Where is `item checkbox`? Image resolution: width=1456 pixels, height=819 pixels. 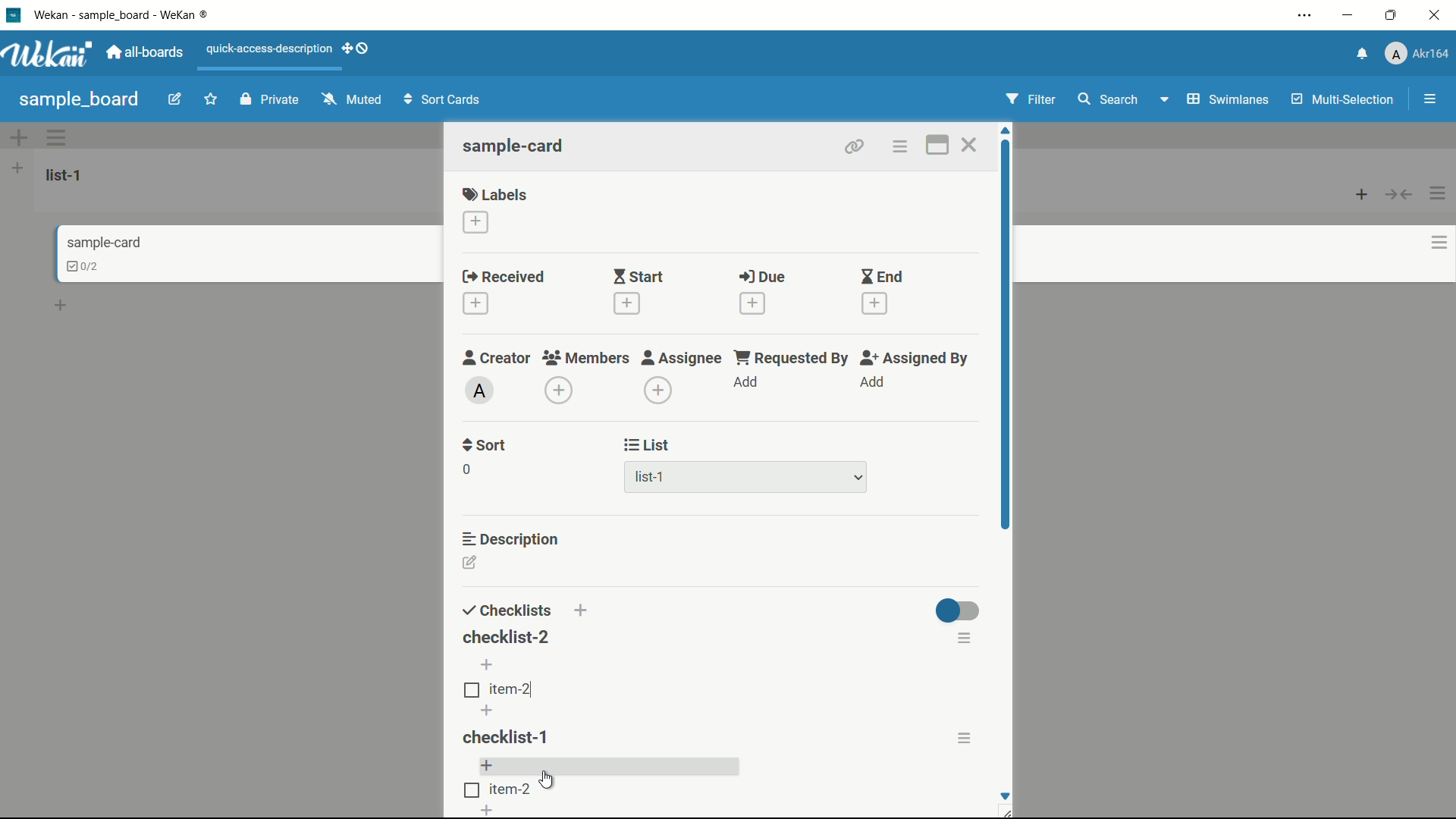 item checkbox is located at coordinates (499, 789).